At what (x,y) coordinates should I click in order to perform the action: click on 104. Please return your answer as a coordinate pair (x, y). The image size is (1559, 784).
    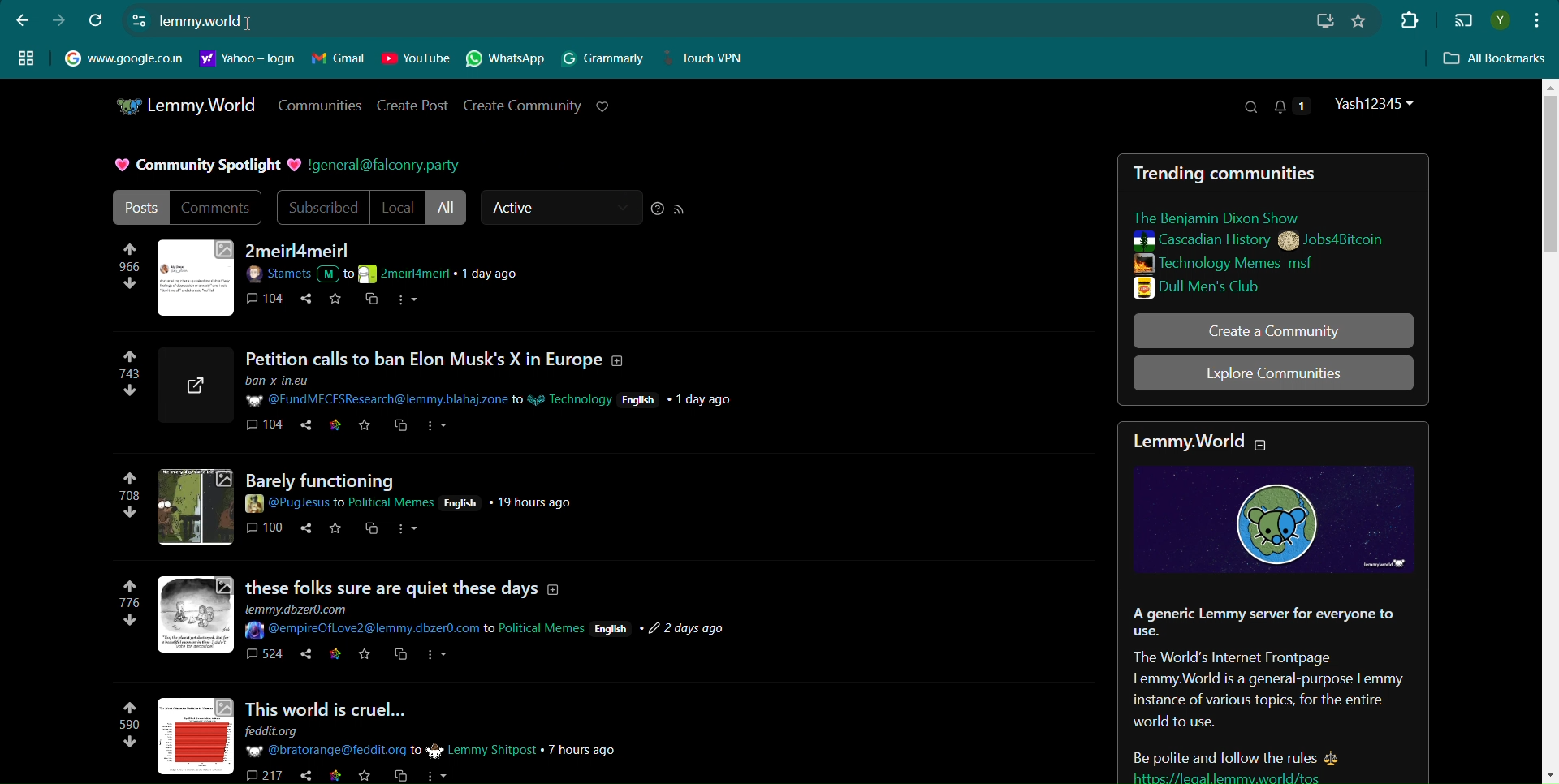
    Looking at the image, I should click on (263, 429).